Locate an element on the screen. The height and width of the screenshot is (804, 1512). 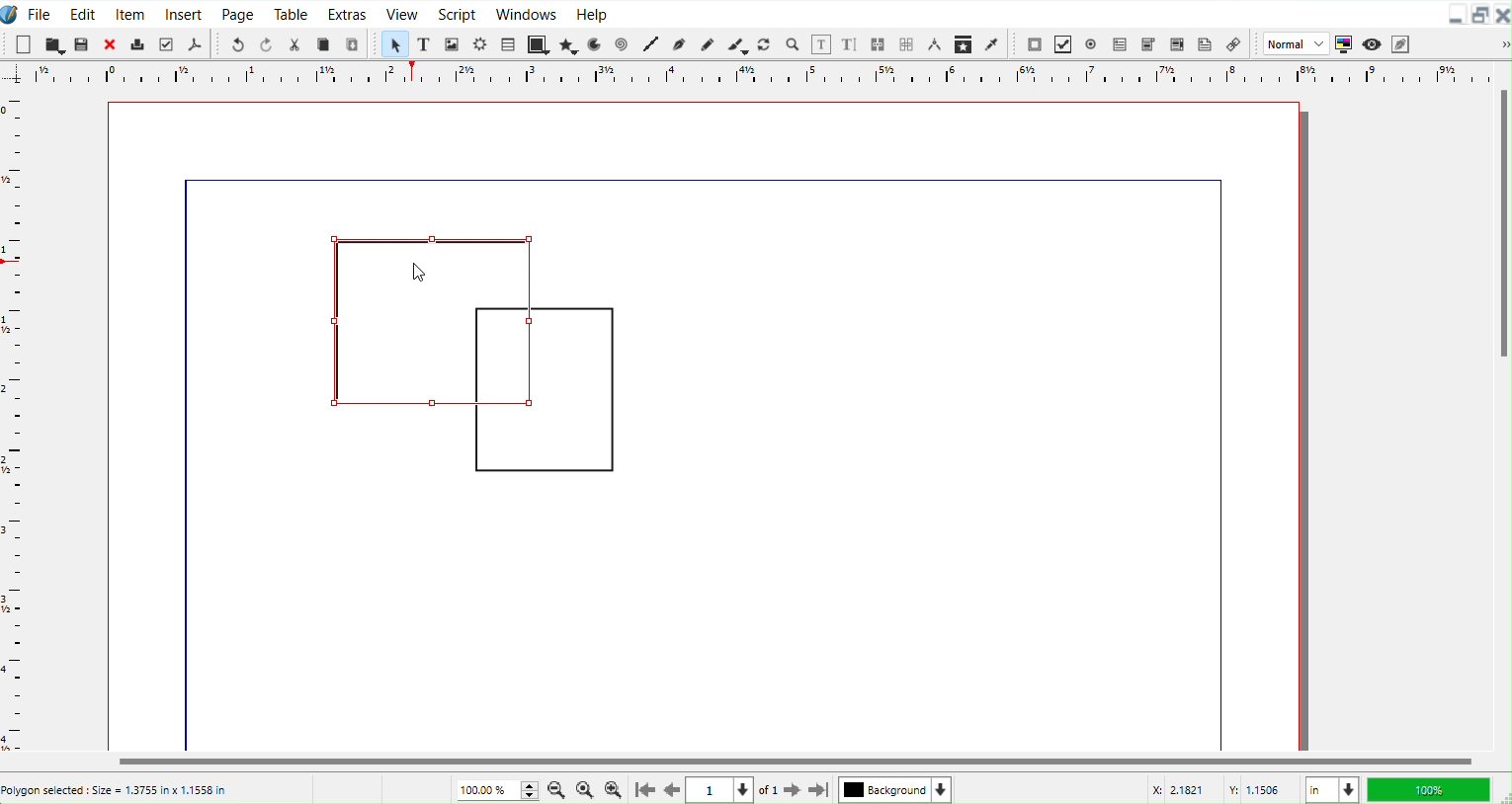
Link Annotation is located at coordinates (1233, 43).